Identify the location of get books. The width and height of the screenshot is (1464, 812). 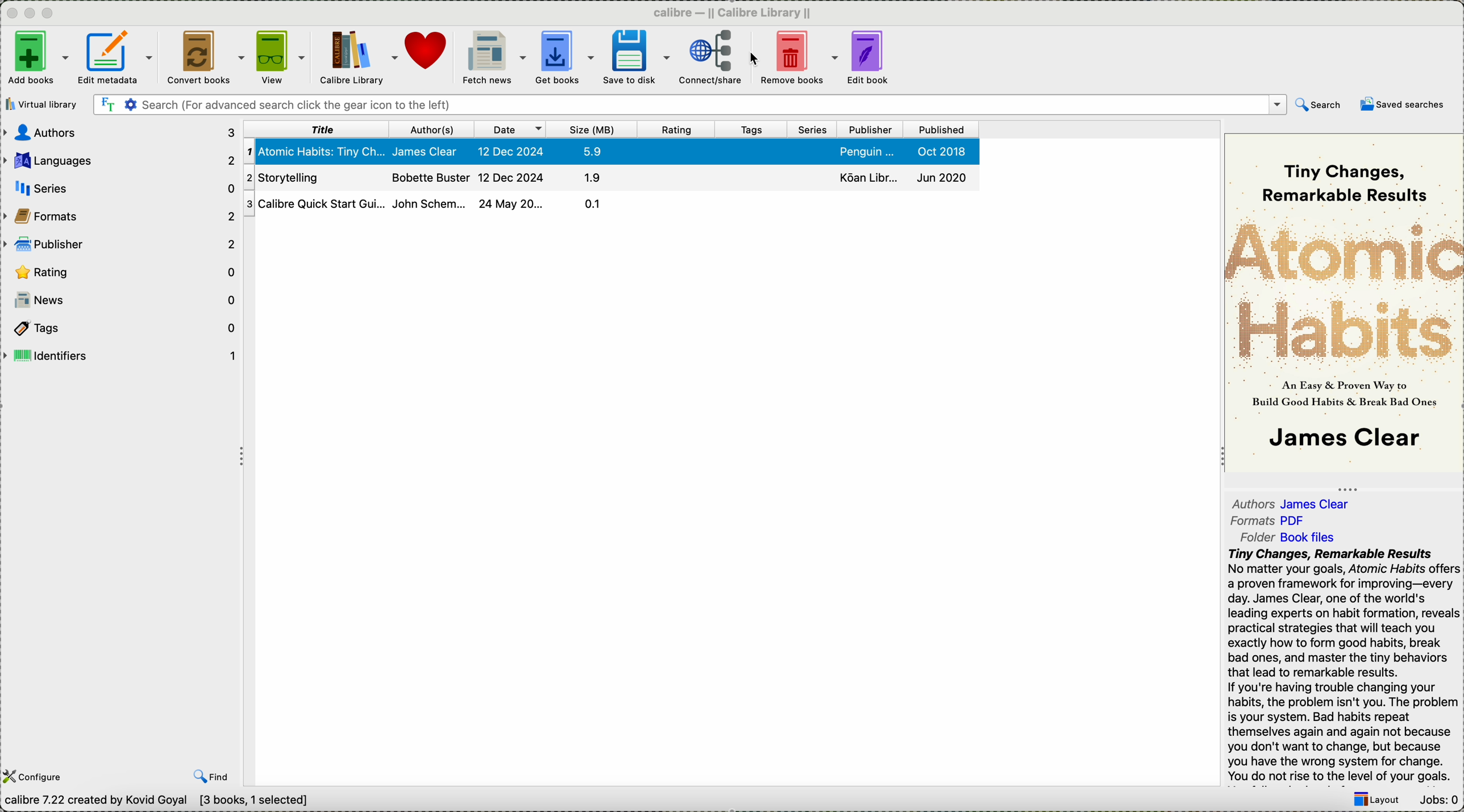
(564, 59).